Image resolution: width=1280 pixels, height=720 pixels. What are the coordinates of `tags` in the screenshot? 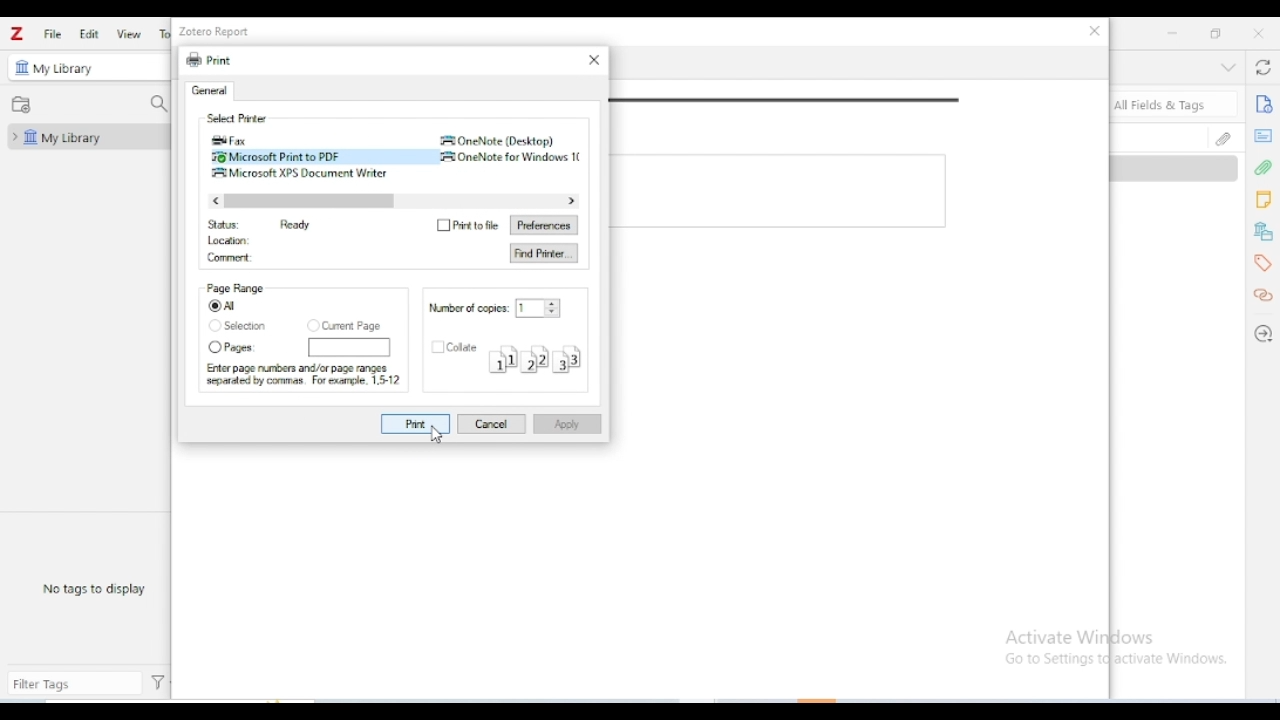 It's located at (1265, 264).